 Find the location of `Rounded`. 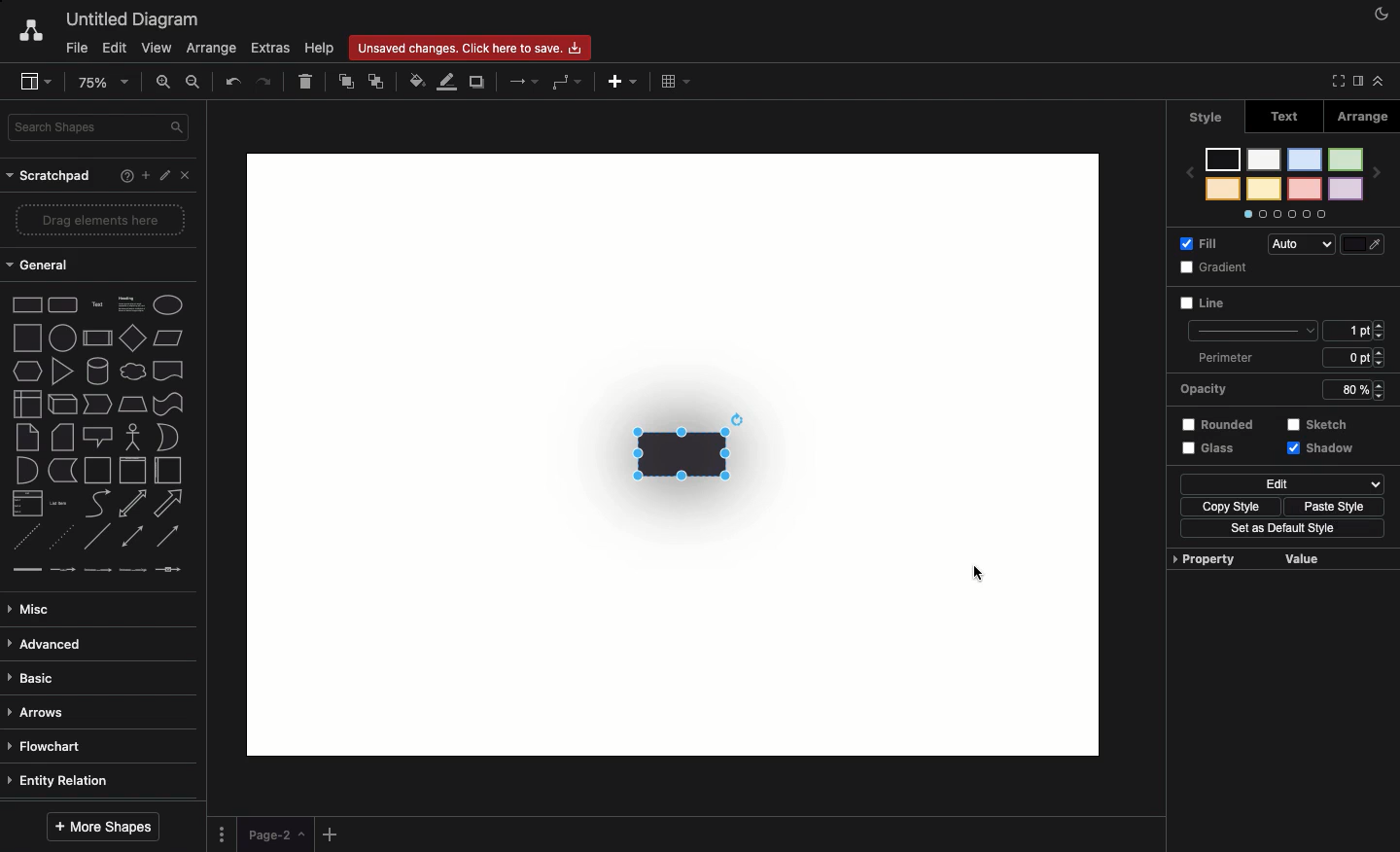

Rounded is located at coordinates (1220, 424).